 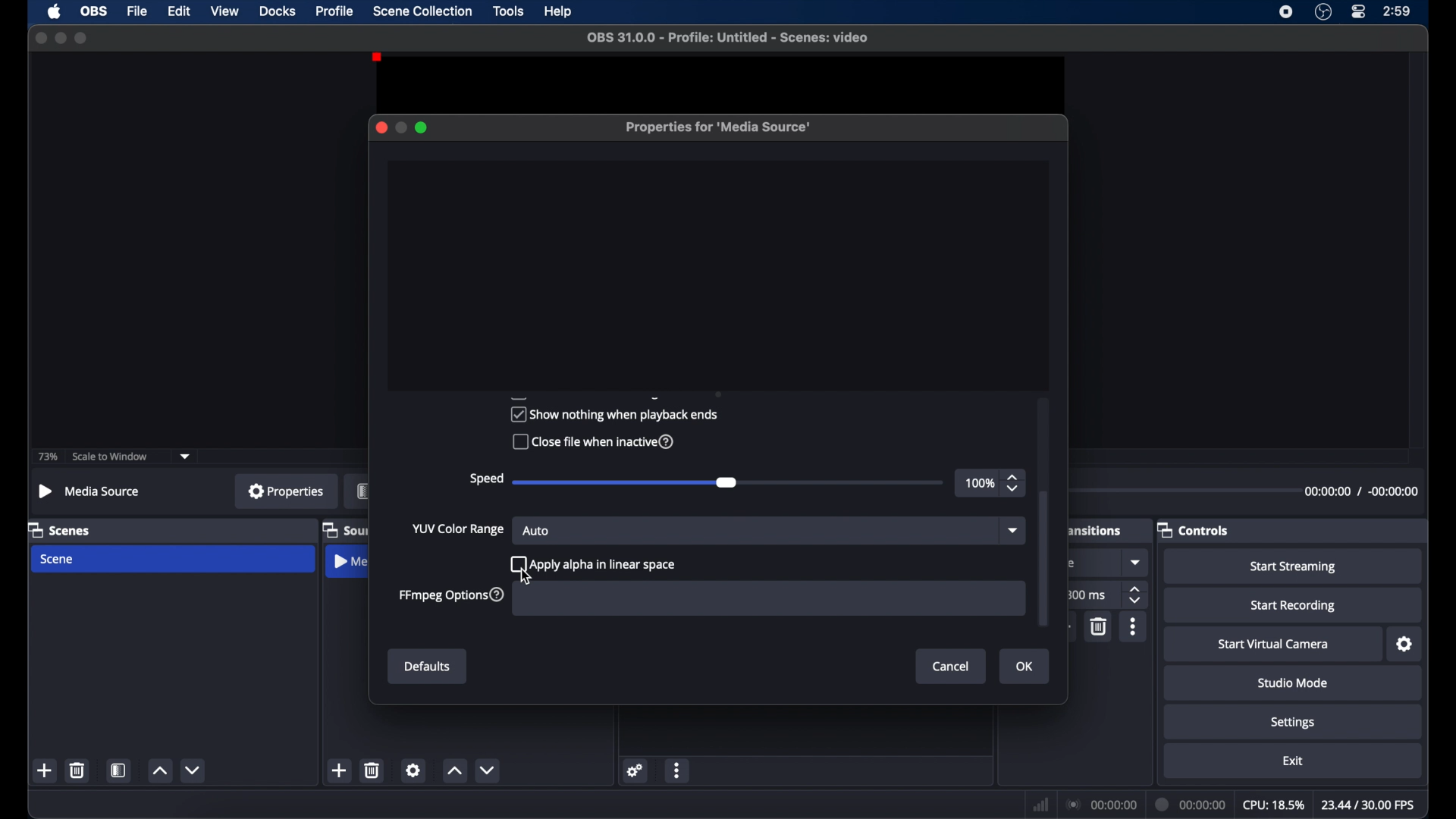 What do you see at coordinates (194, 770) in the screenshot?
I see `decrement` at bounding box center [194, 770].